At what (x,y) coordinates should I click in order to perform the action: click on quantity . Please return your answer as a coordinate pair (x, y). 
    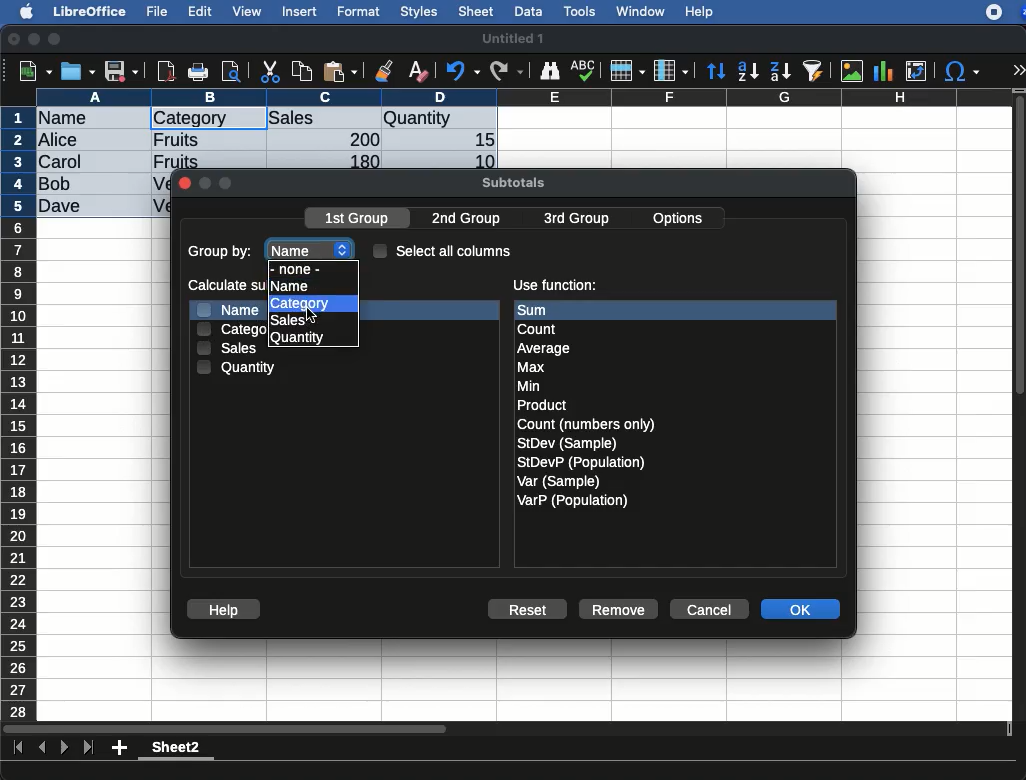
    Looking at the image, I should click on (299, 338).